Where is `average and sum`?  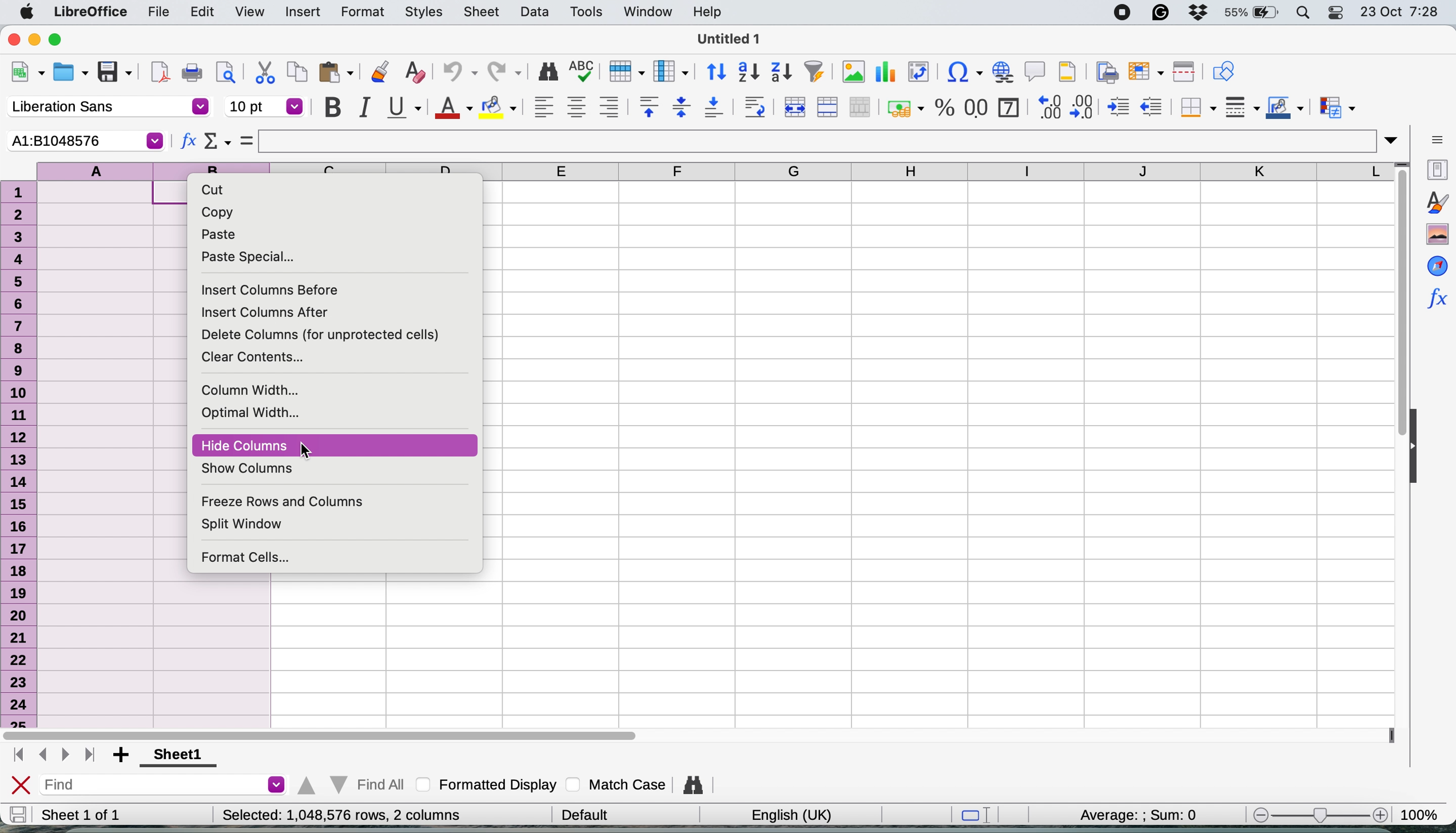
average and sum is located at coordinates (1123, 816).